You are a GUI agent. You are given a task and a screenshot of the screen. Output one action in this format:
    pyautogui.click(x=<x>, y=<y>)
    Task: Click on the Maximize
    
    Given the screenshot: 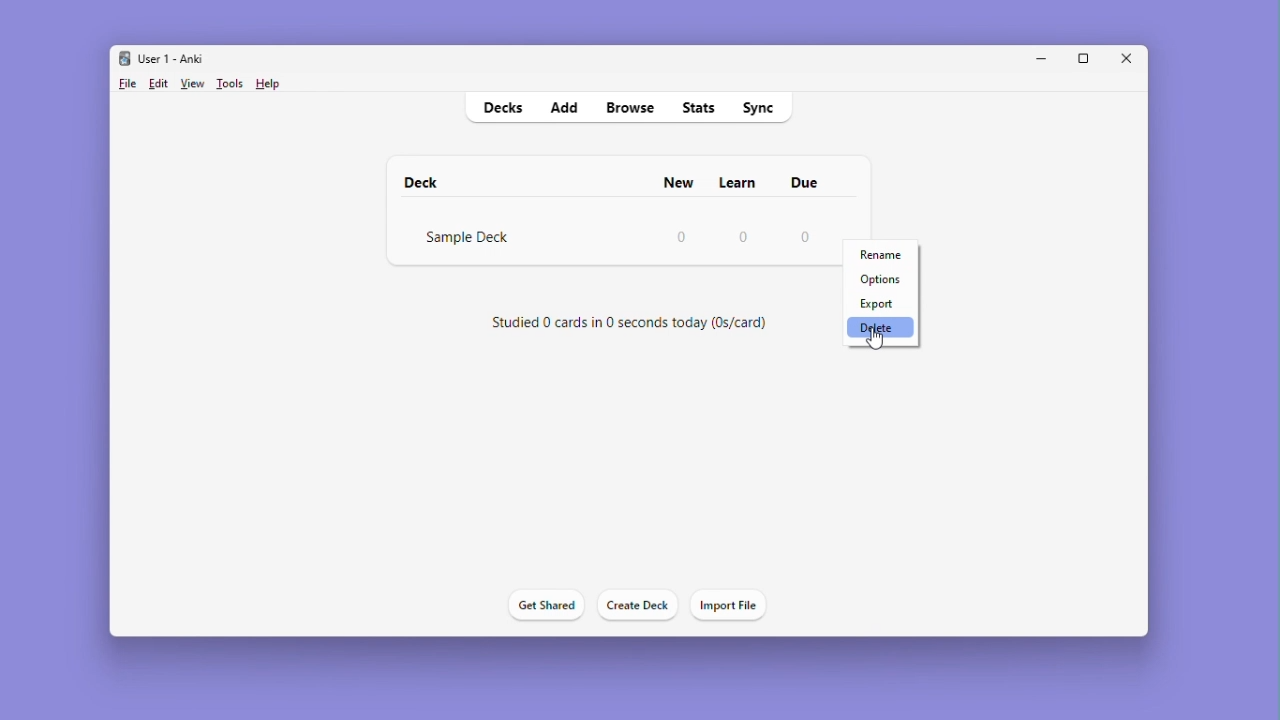 What is the action you would take?
    pyautogui.click(x=1090, y=59)
    